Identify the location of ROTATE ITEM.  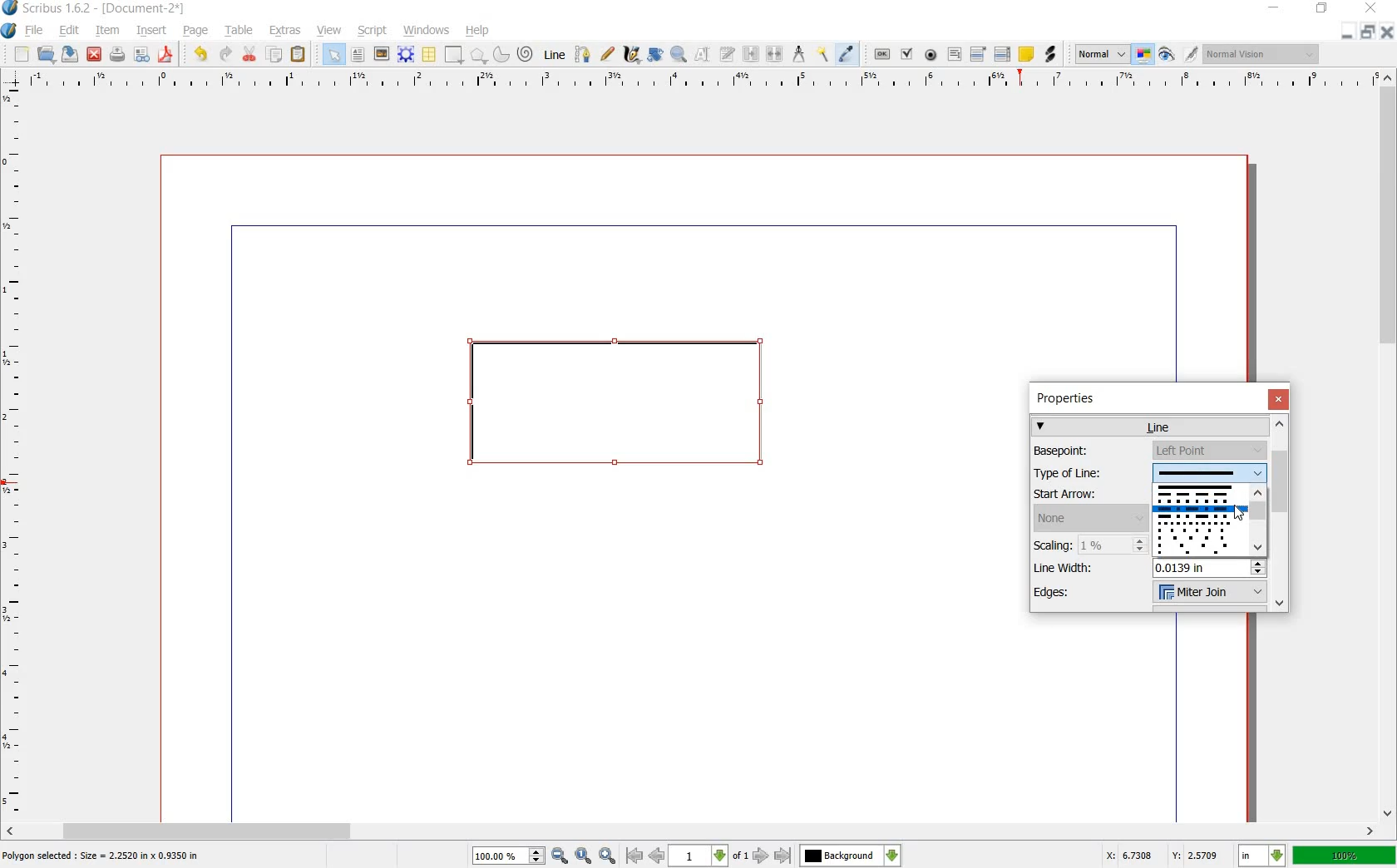
(656, 52).